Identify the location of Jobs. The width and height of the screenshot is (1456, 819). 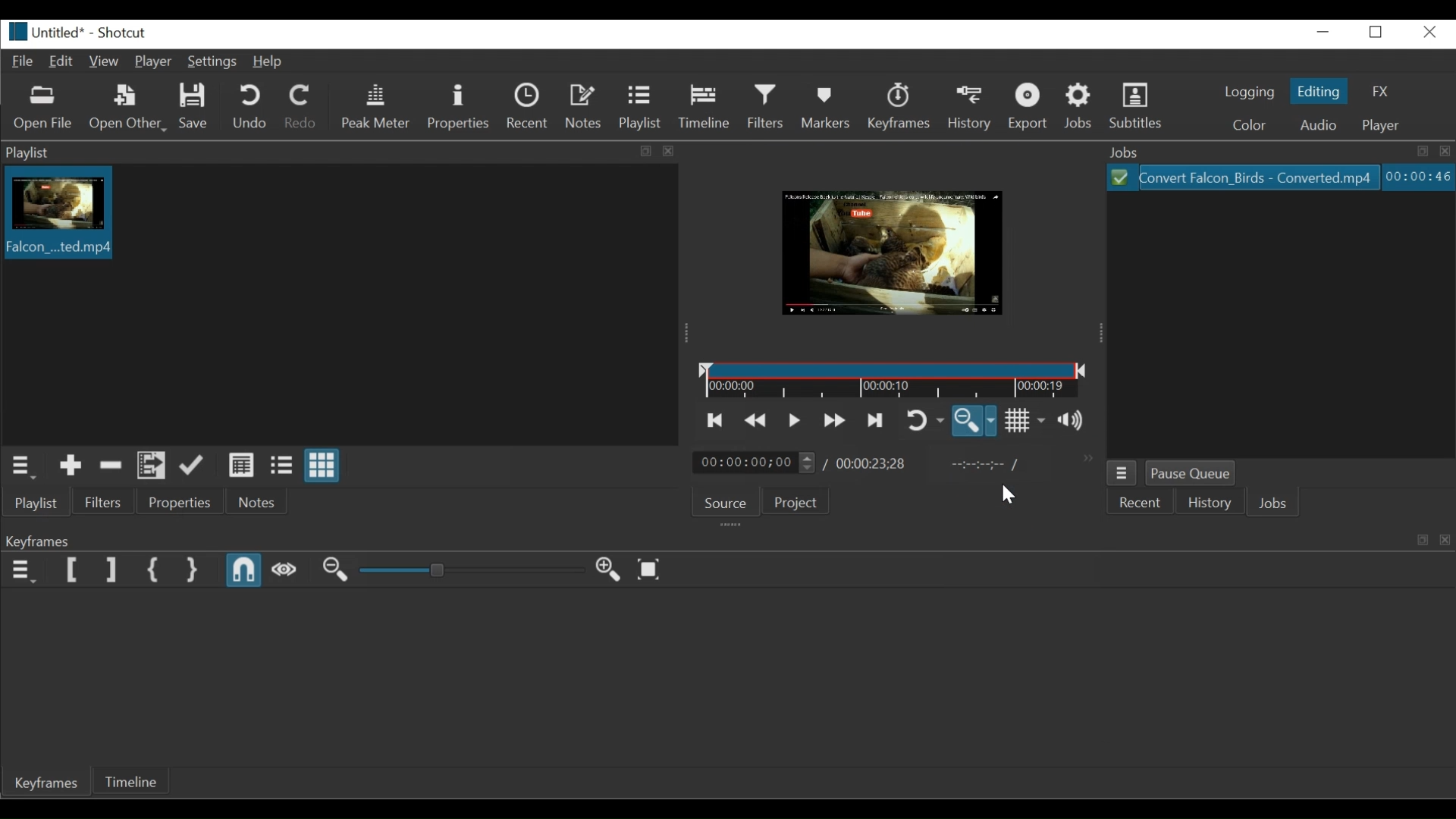
(1079, 107).